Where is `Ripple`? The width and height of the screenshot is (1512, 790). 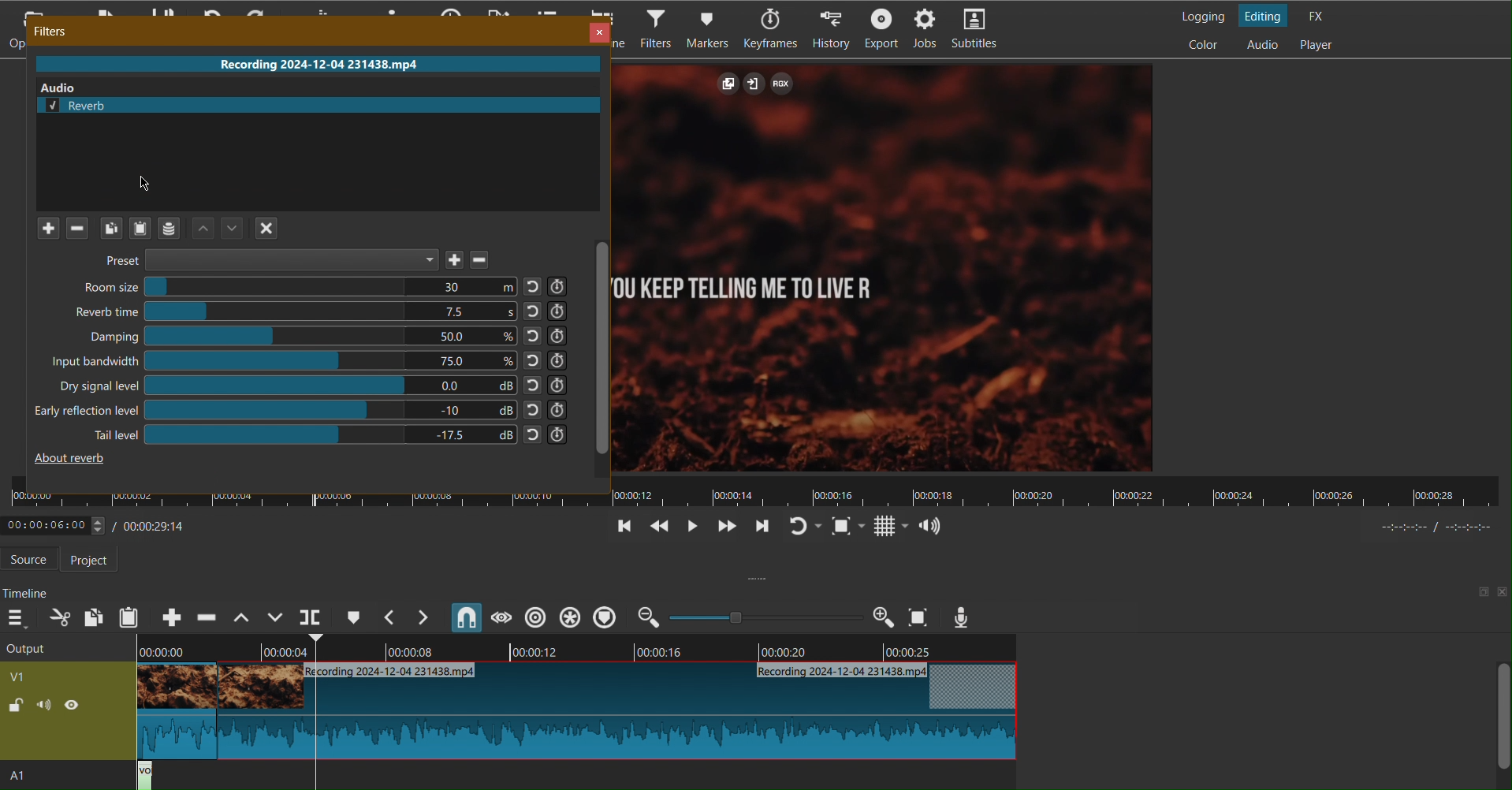 Ripple is located at coordinates (574, 617).